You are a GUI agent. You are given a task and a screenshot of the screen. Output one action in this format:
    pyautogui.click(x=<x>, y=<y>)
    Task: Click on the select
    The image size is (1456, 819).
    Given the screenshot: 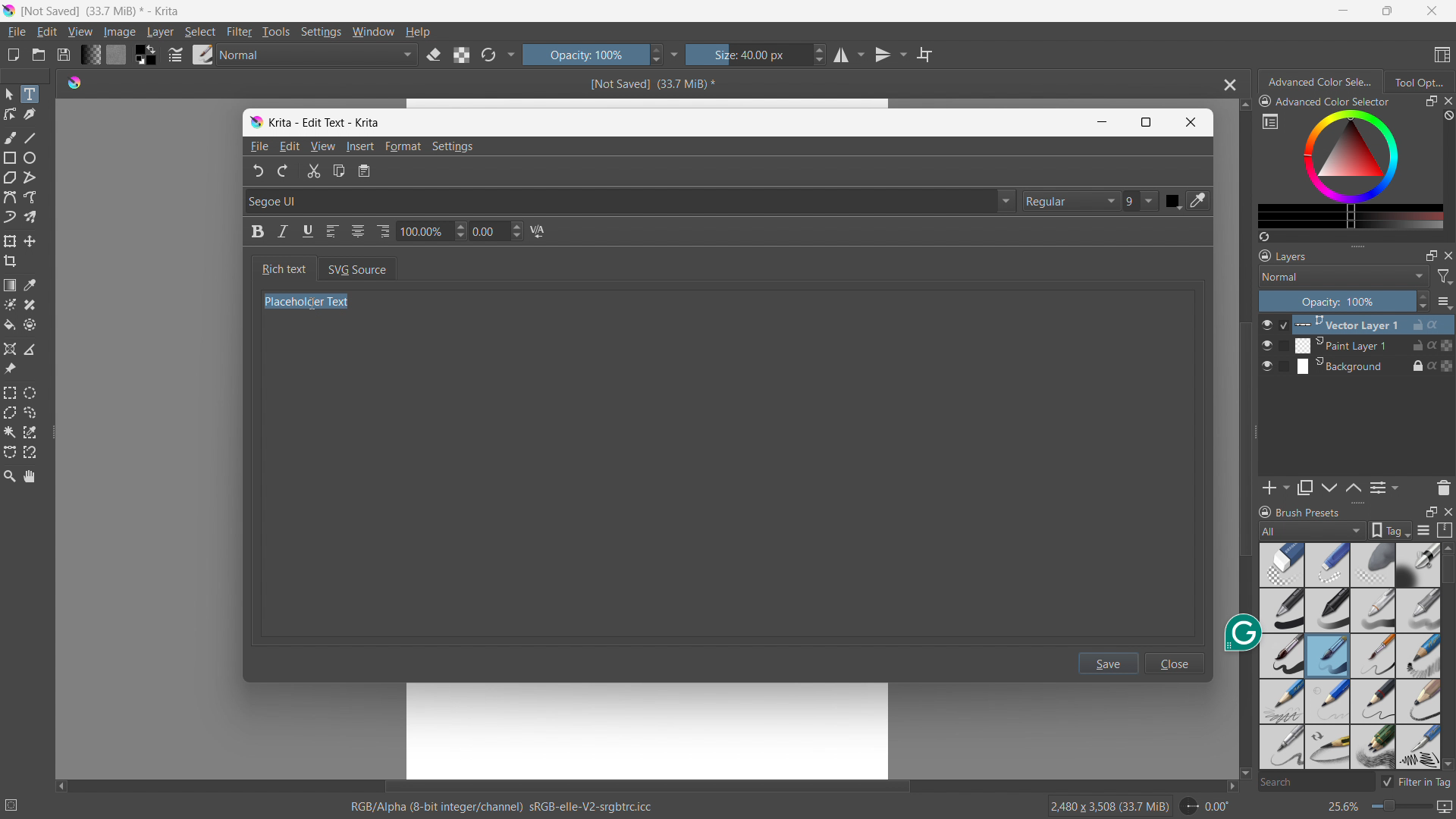 What is the action you would take?
    pyautogui.click(x=199, y=32)
    